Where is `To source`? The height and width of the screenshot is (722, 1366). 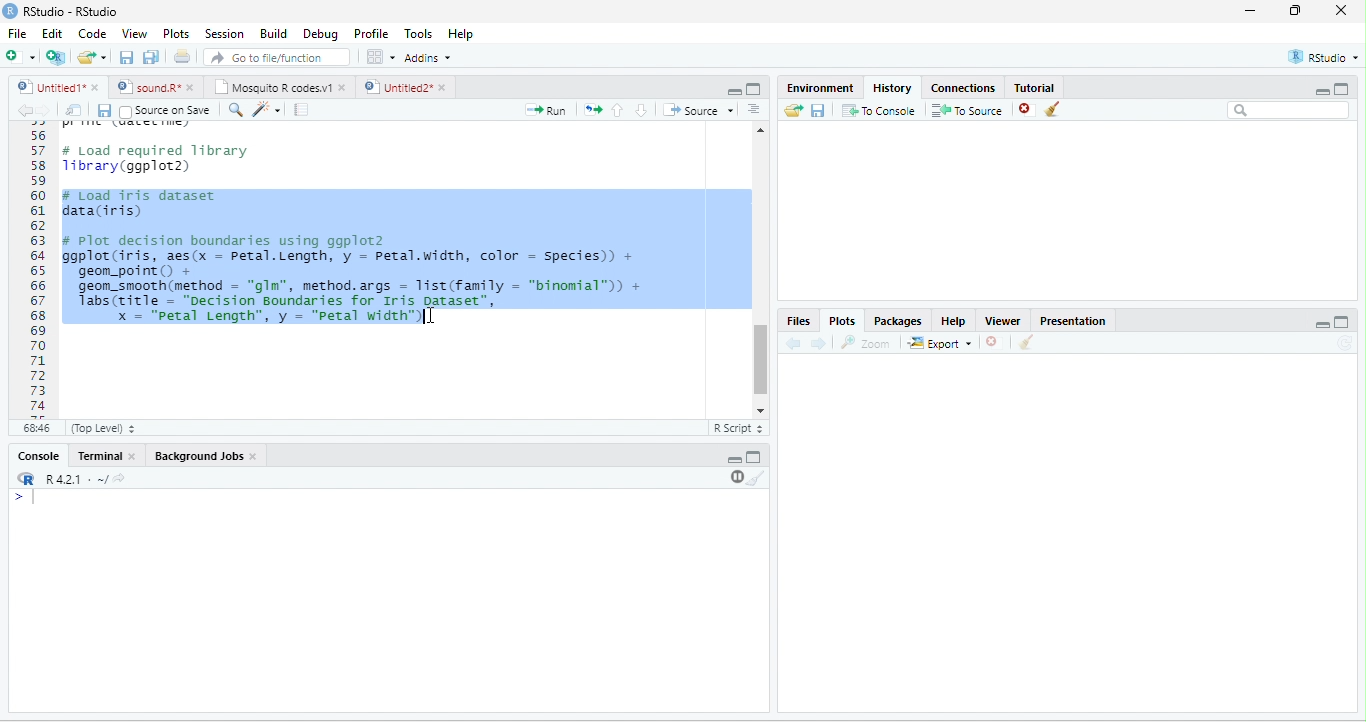
To source is located at coordinates (965, 111).